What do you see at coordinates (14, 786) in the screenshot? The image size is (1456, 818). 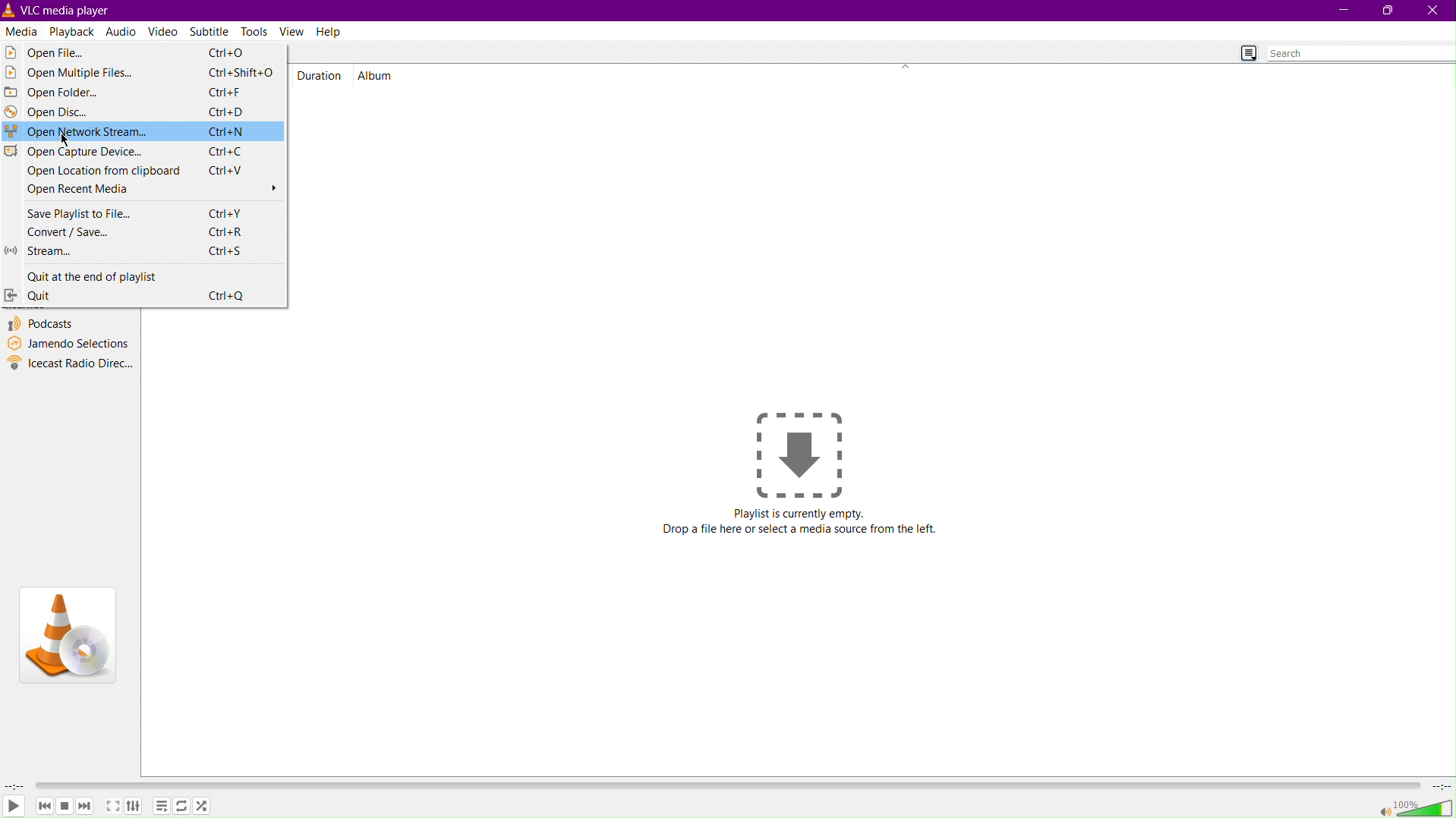 I see `Played time` at bounding box center [14, 786].